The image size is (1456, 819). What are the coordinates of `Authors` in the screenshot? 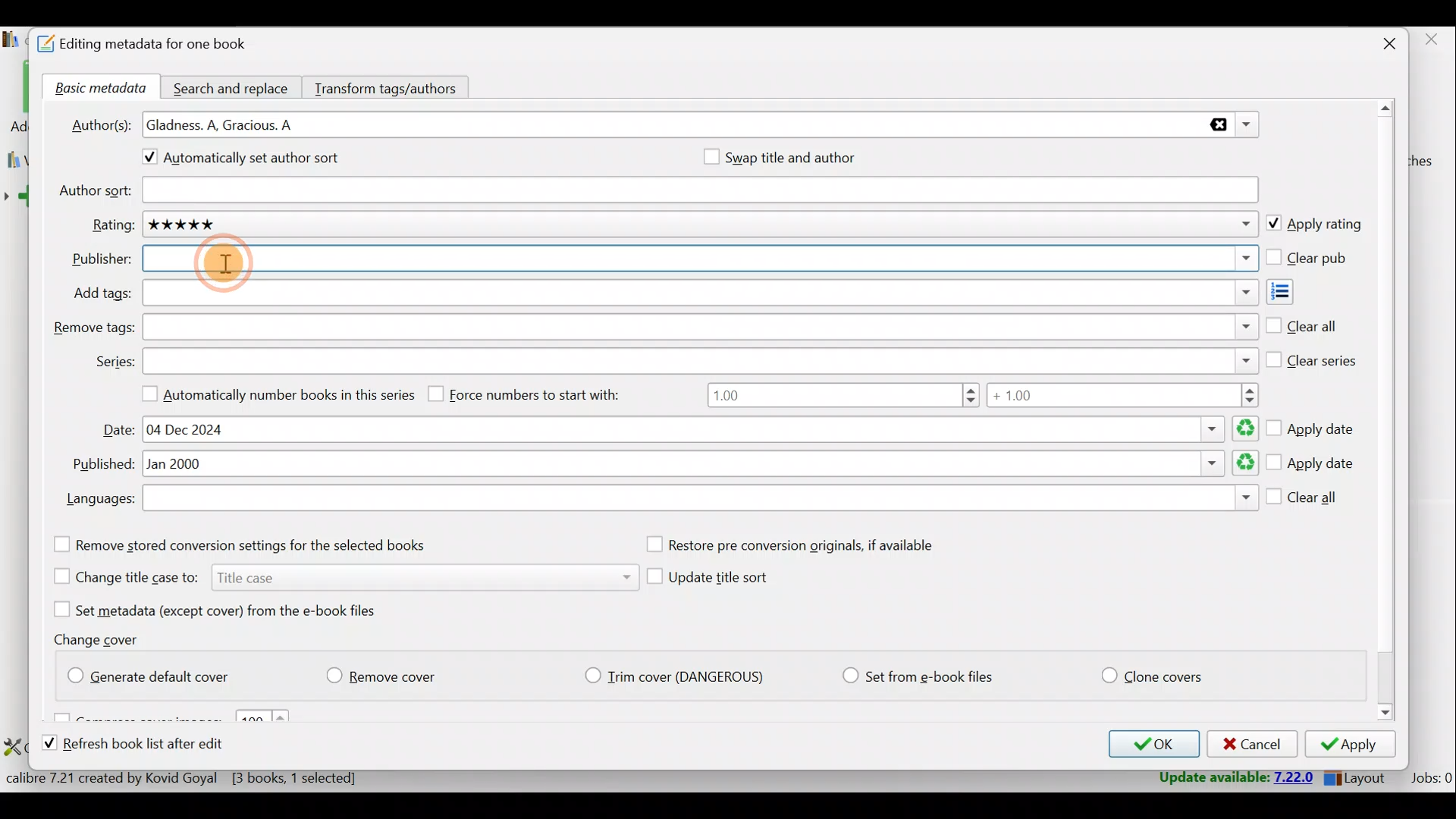 It's located at (702, 126).